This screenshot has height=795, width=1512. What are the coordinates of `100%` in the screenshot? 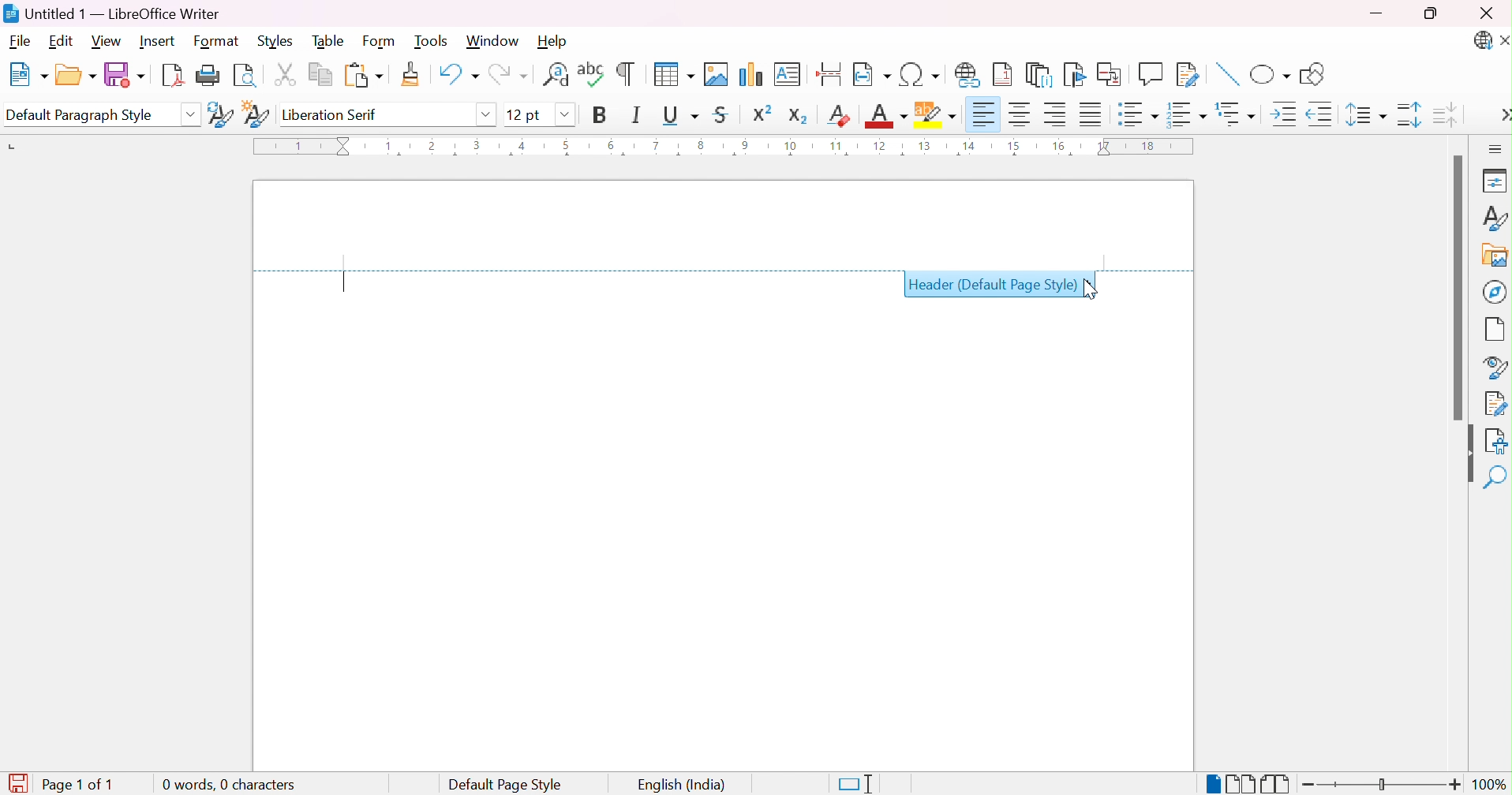 It's located at (1490, 785).